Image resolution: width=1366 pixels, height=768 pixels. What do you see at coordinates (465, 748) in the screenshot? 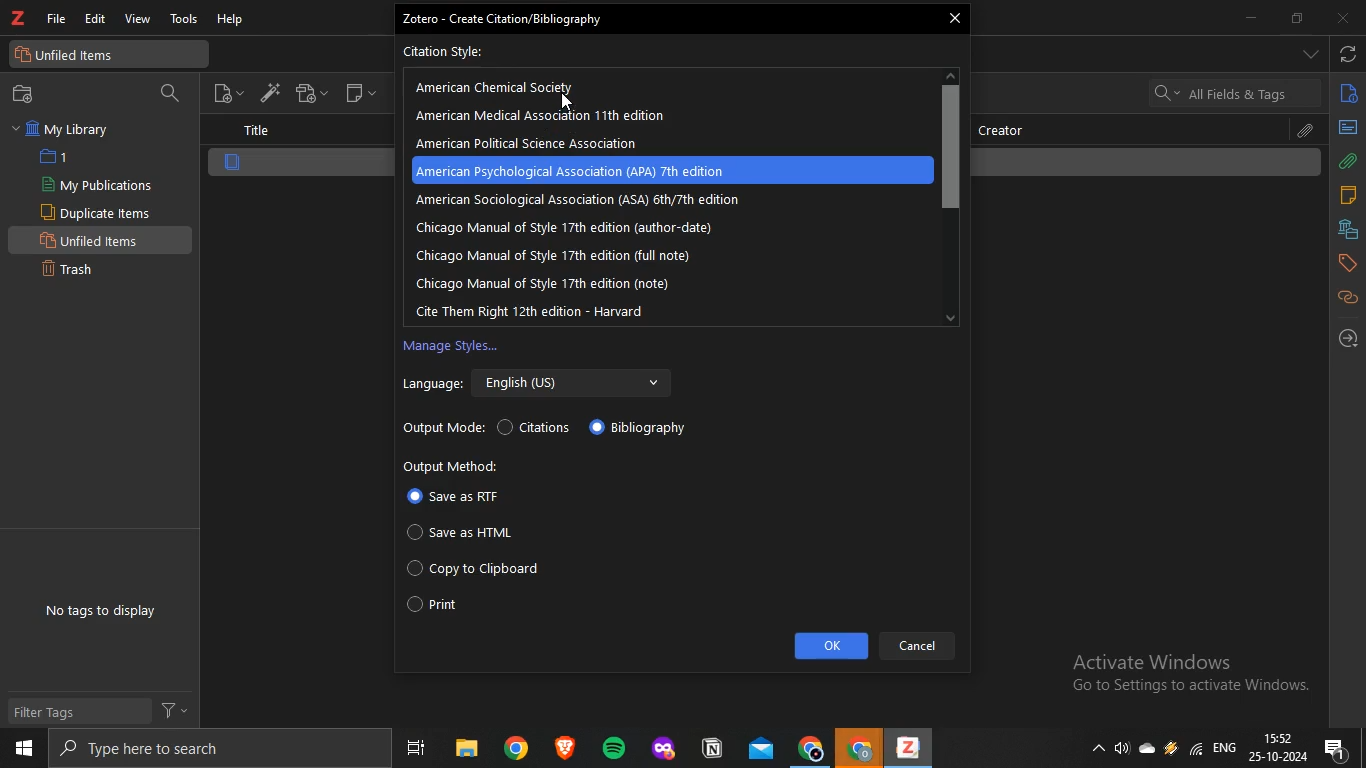
I see `files` at bounding box center [465, 748].